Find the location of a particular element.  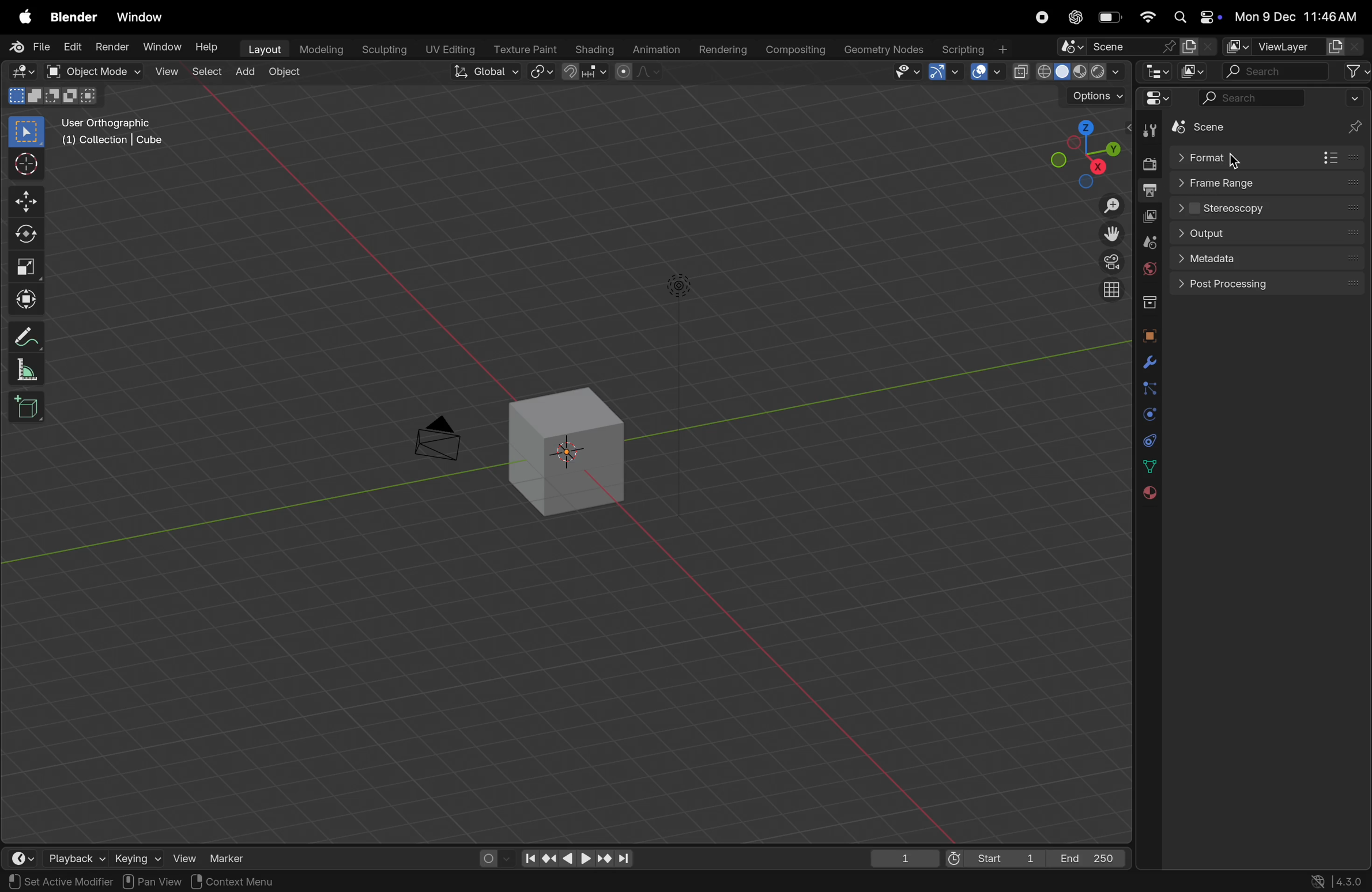

chatgpt is located at coordinates (1074, 18).